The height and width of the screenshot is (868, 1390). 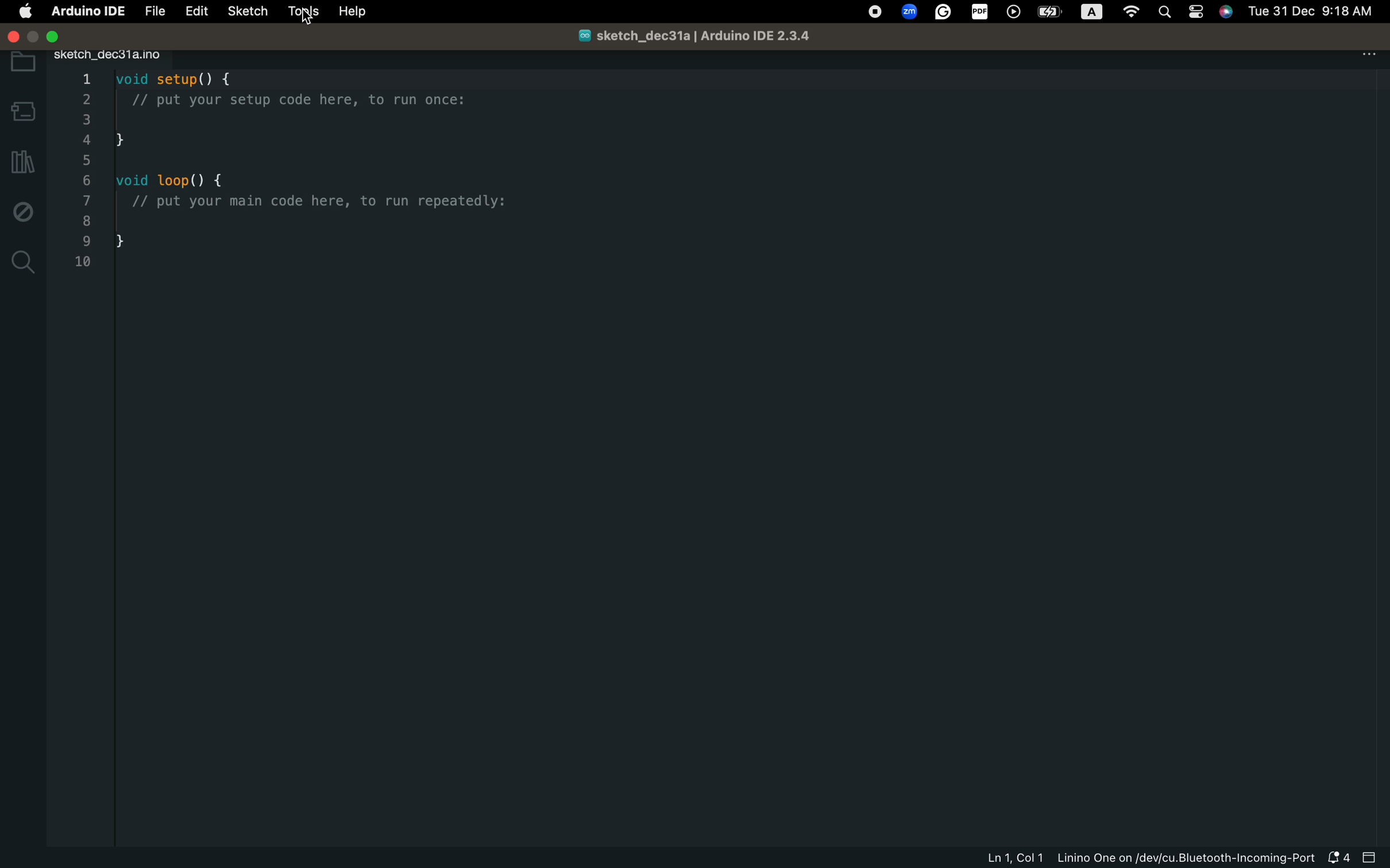 What do you see at coordinates (191, 13) in the screenshot?
I see `edit` at bounding box center [191, 13].